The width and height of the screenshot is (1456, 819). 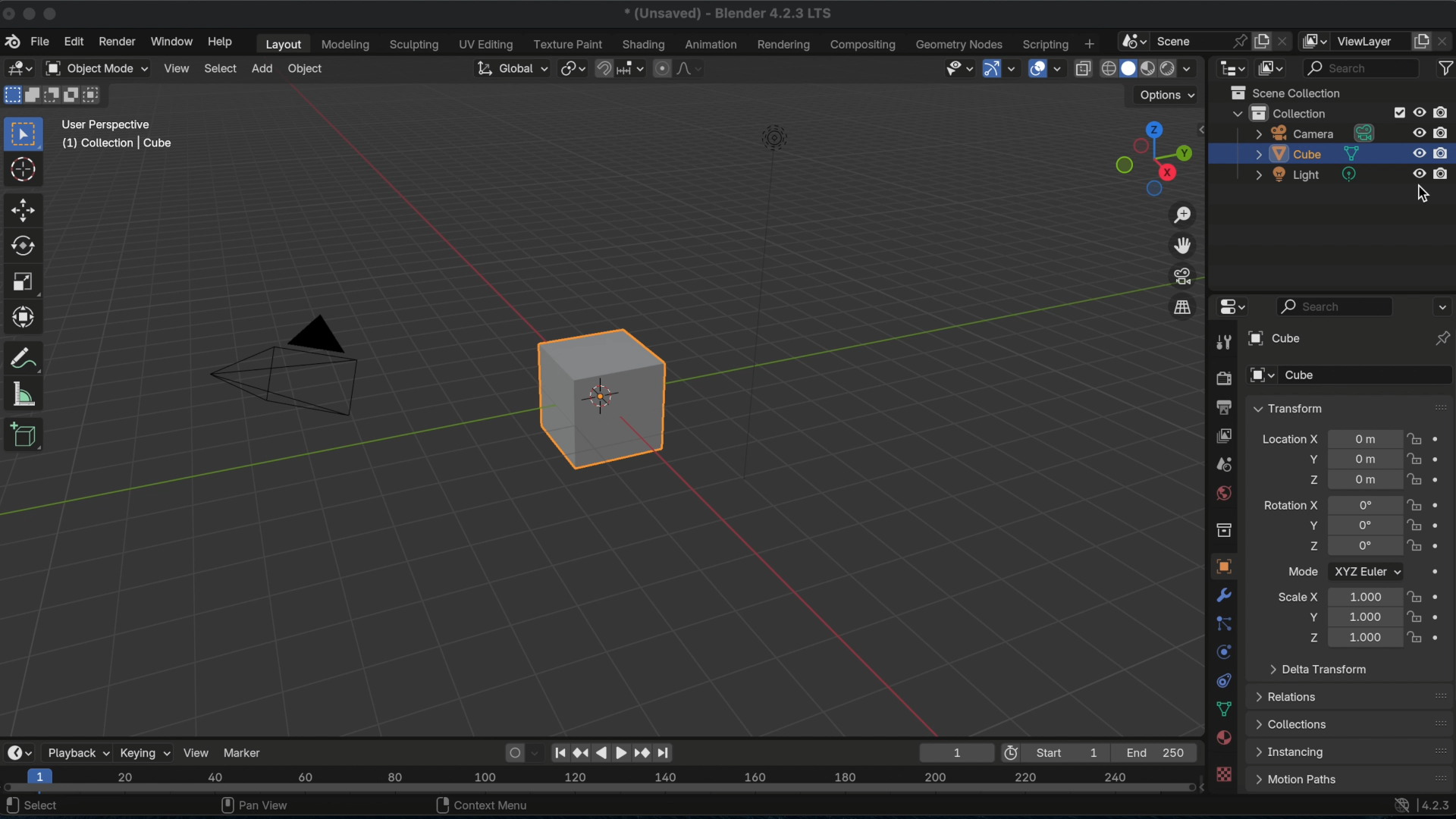 What do you see at coordinates (11, 97) in the screenshot?
I see `mode set a new collection` at bounding box center [11, 97].